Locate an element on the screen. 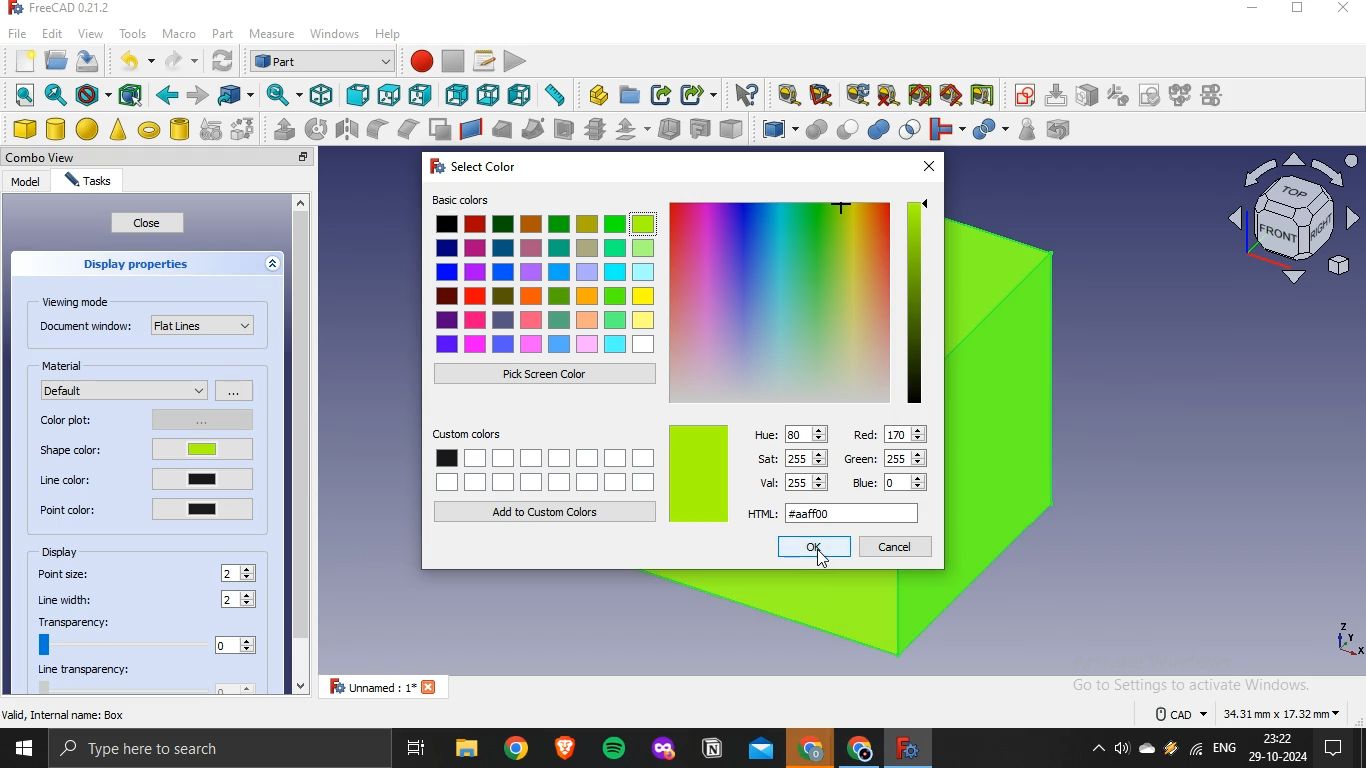 The height and width of the screenshot is (768, 1366). toggle delta is located at coordinates (983, 94).